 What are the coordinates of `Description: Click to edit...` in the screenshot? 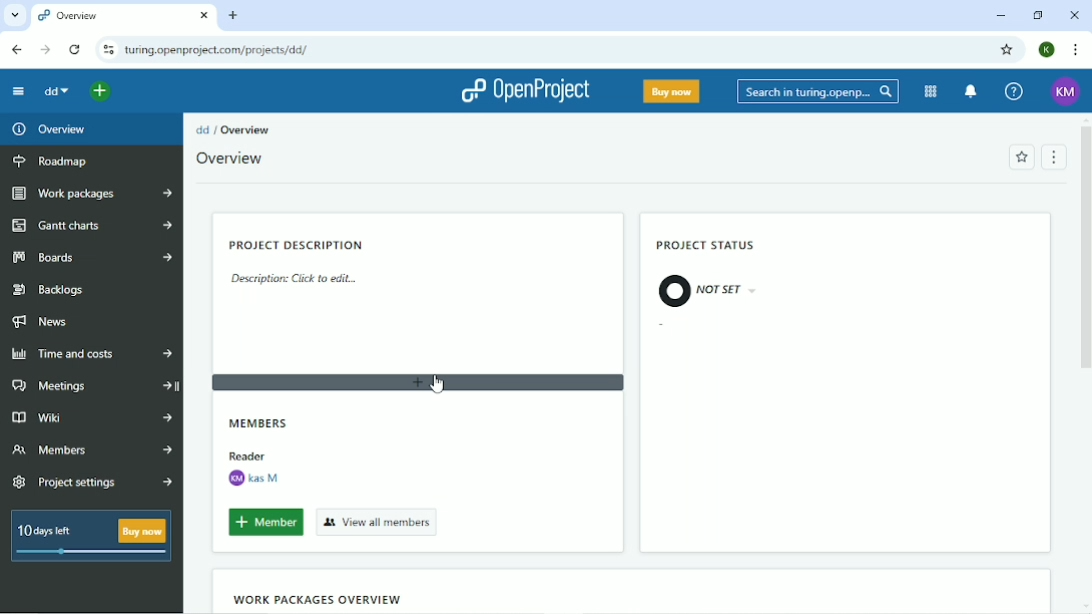 It's located at (295, 278).